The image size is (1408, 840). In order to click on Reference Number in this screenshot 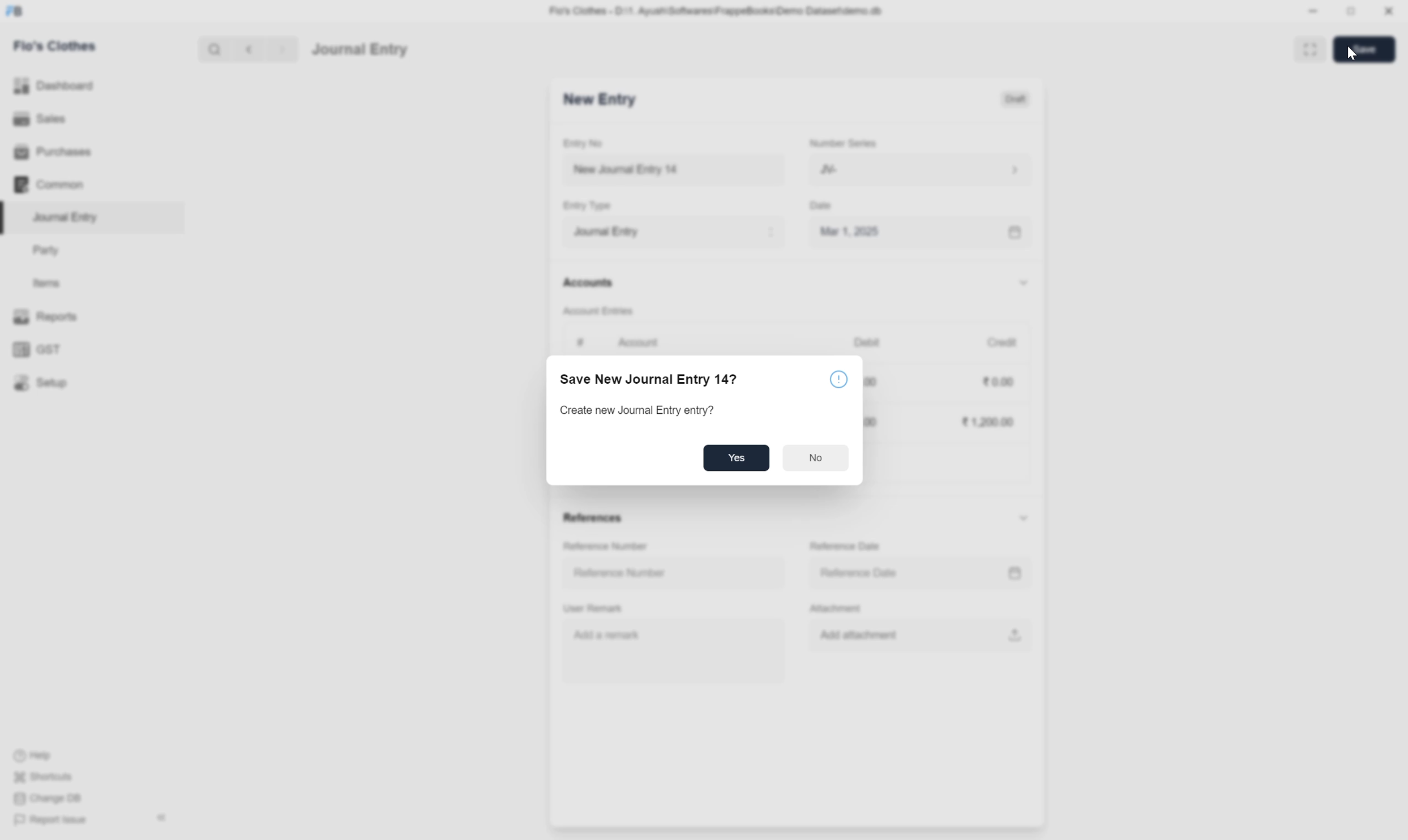, I will do `click(607, 547)`.